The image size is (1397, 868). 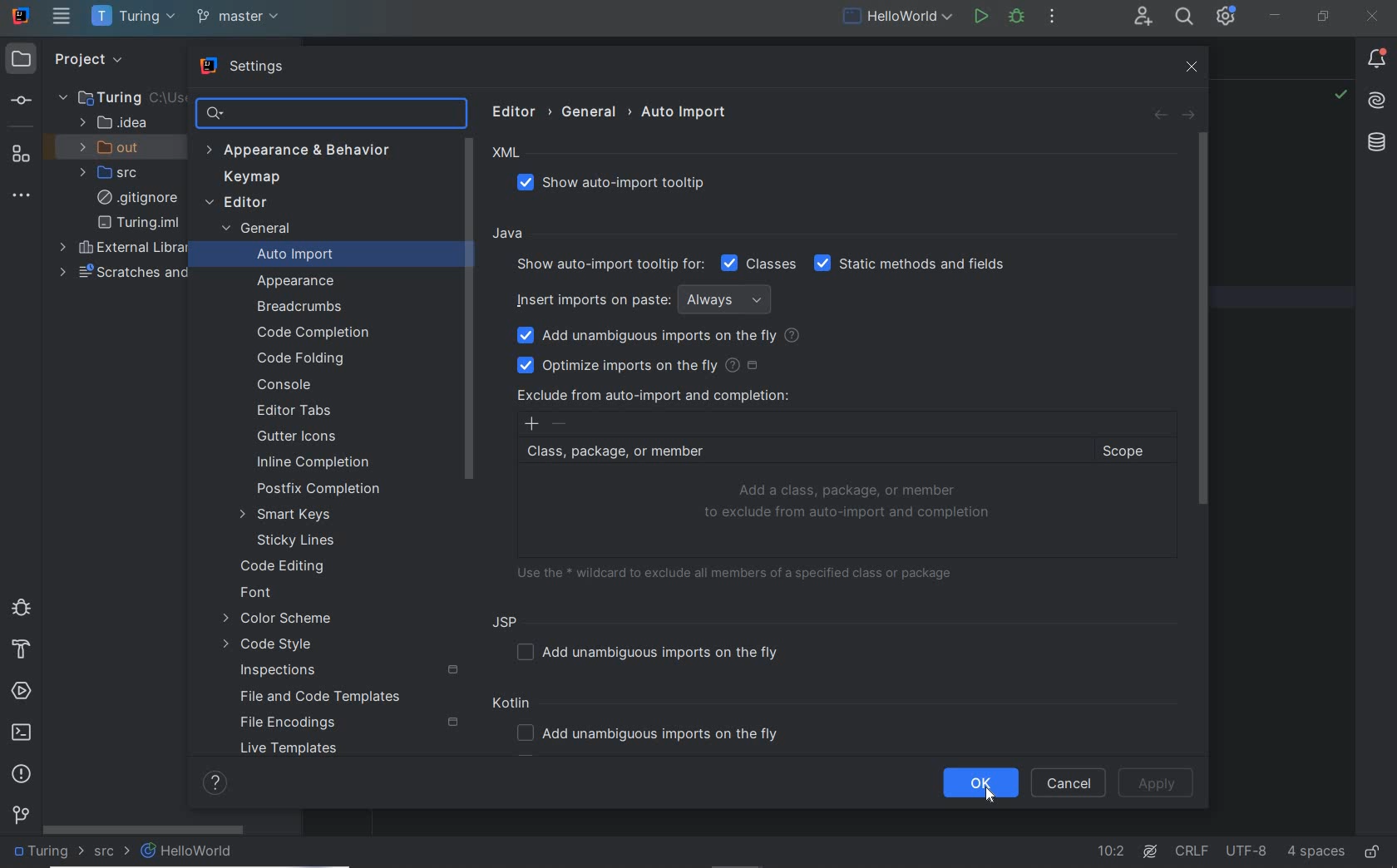 What do you see at coordinates (608, 264) in the screenshot?
I see `SHOW AUTO-IMPORT TOOLTIP FOR:` at bounding box center [608, 264].